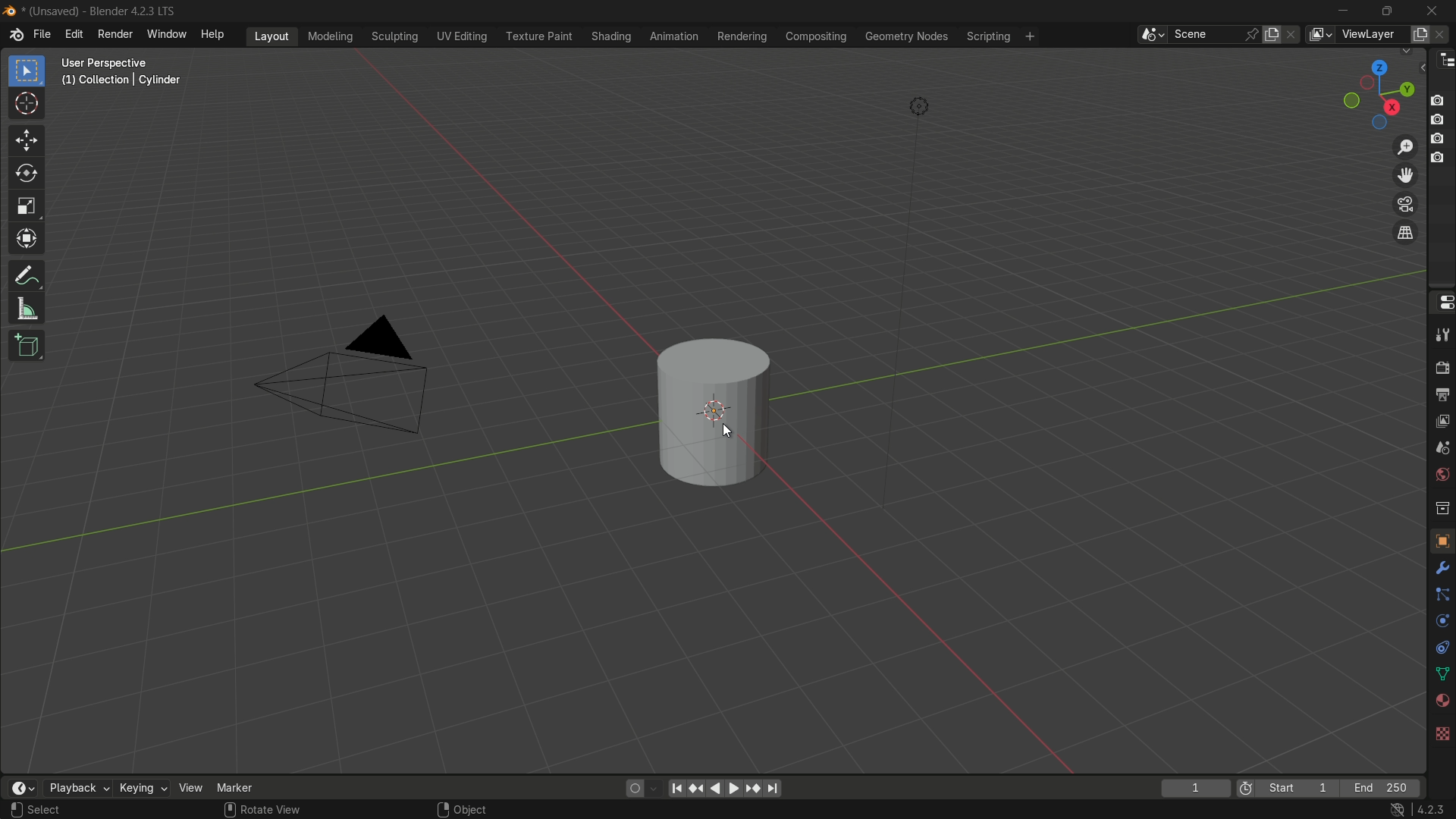 The image size is (1456, 819). I want to click on move the view, so click(1402, 175).